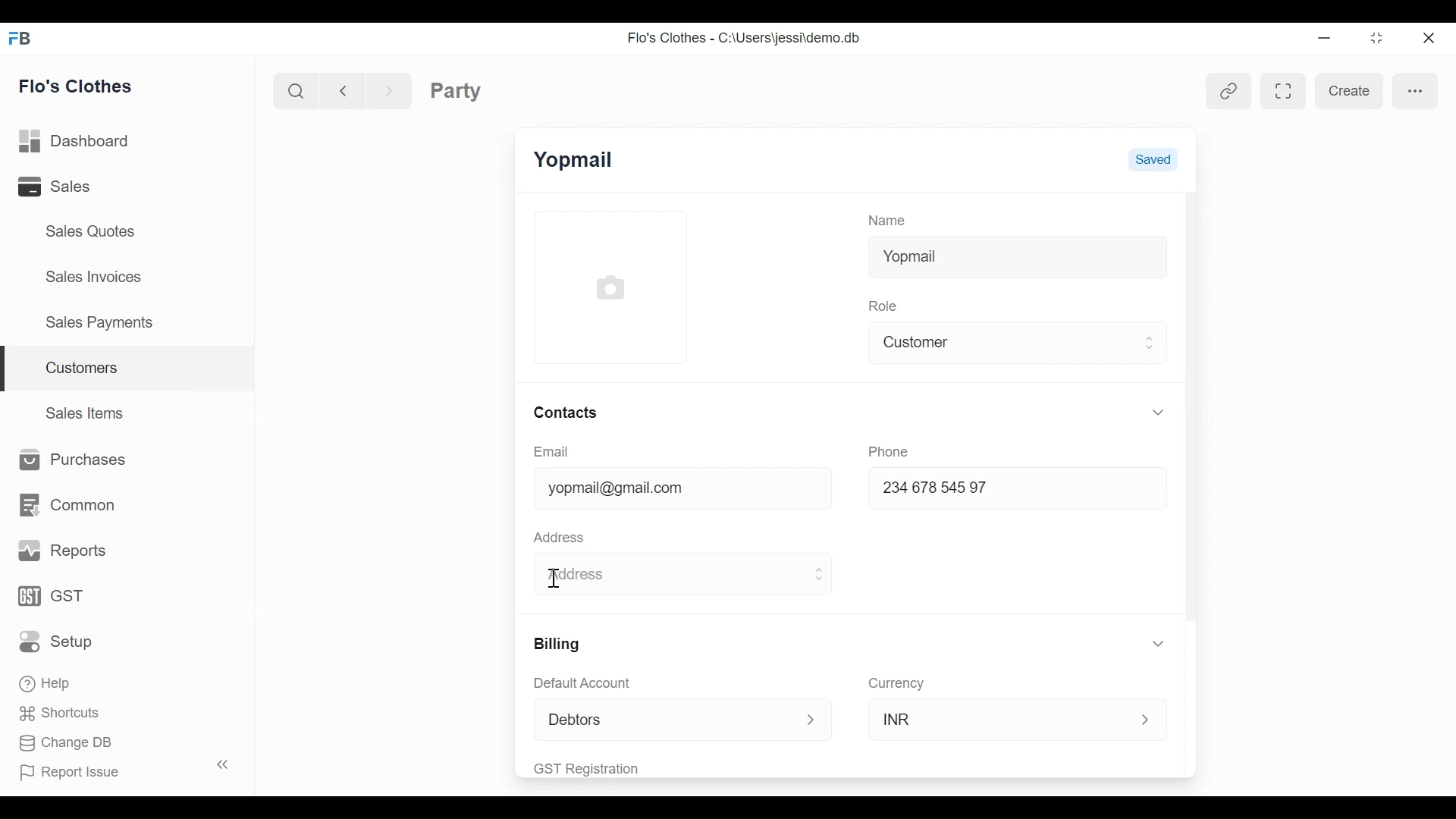 Image resolution: width=1456 pixels, height=819 pixels. Describe the element at coordinates (1348, 92) in the screenshot. I see `create` at that location.